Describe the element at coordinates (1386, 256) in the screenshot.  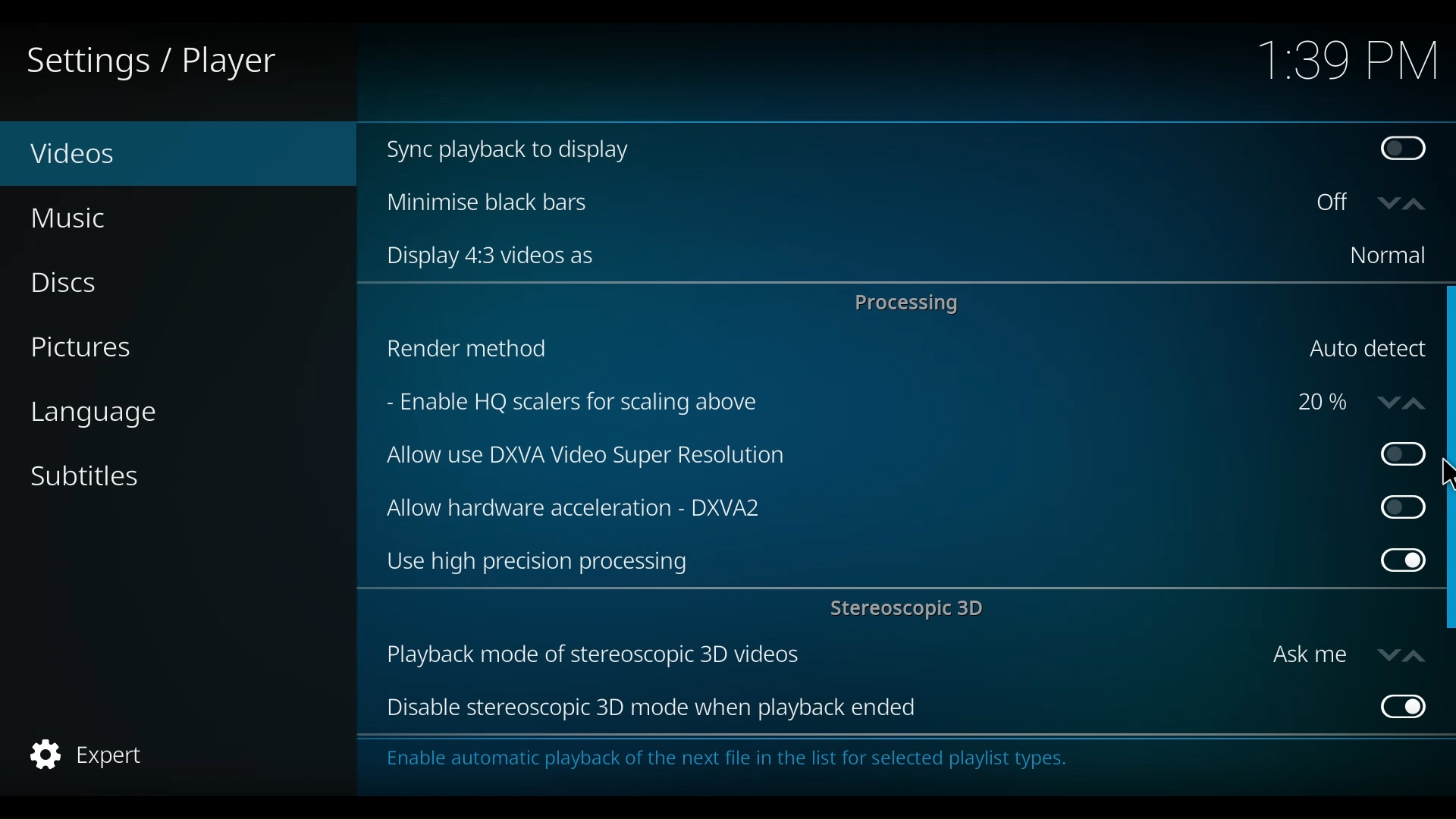
I see `Normal` at that location.